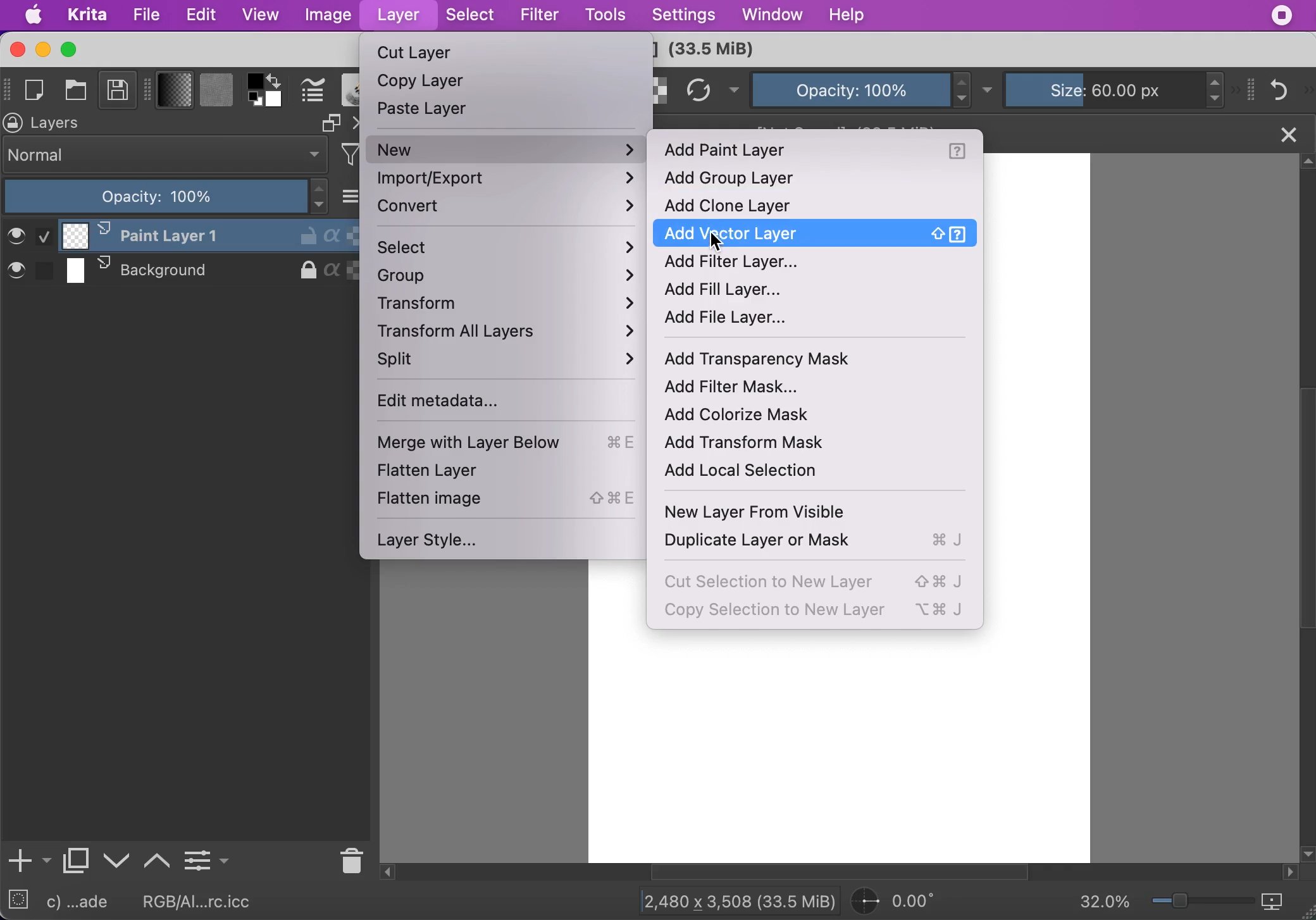 This screenshot has width=1316, height=920. I want to click on image, so click(327, 16).